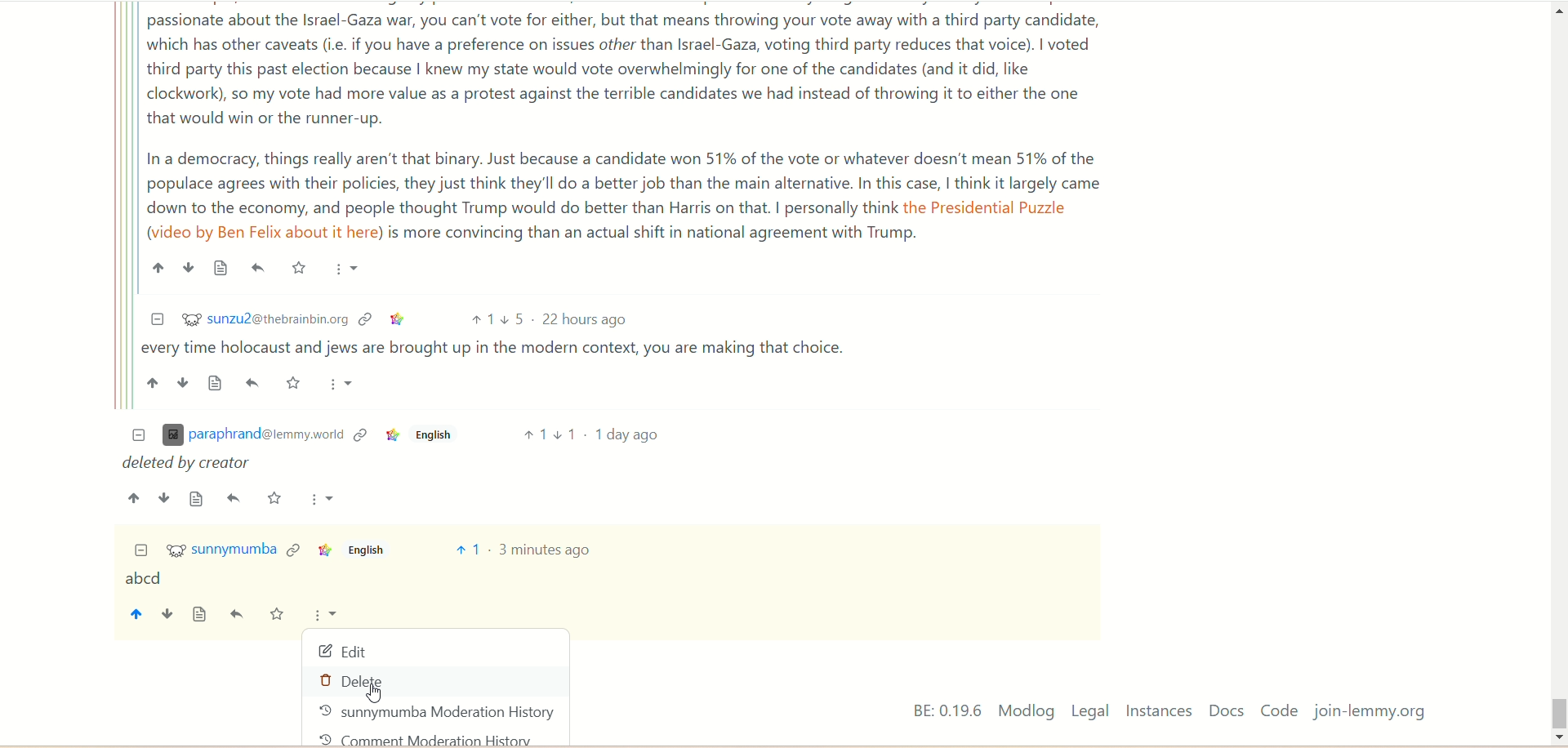  I want to click on %¥ sunnymumba, so click(222, 551).